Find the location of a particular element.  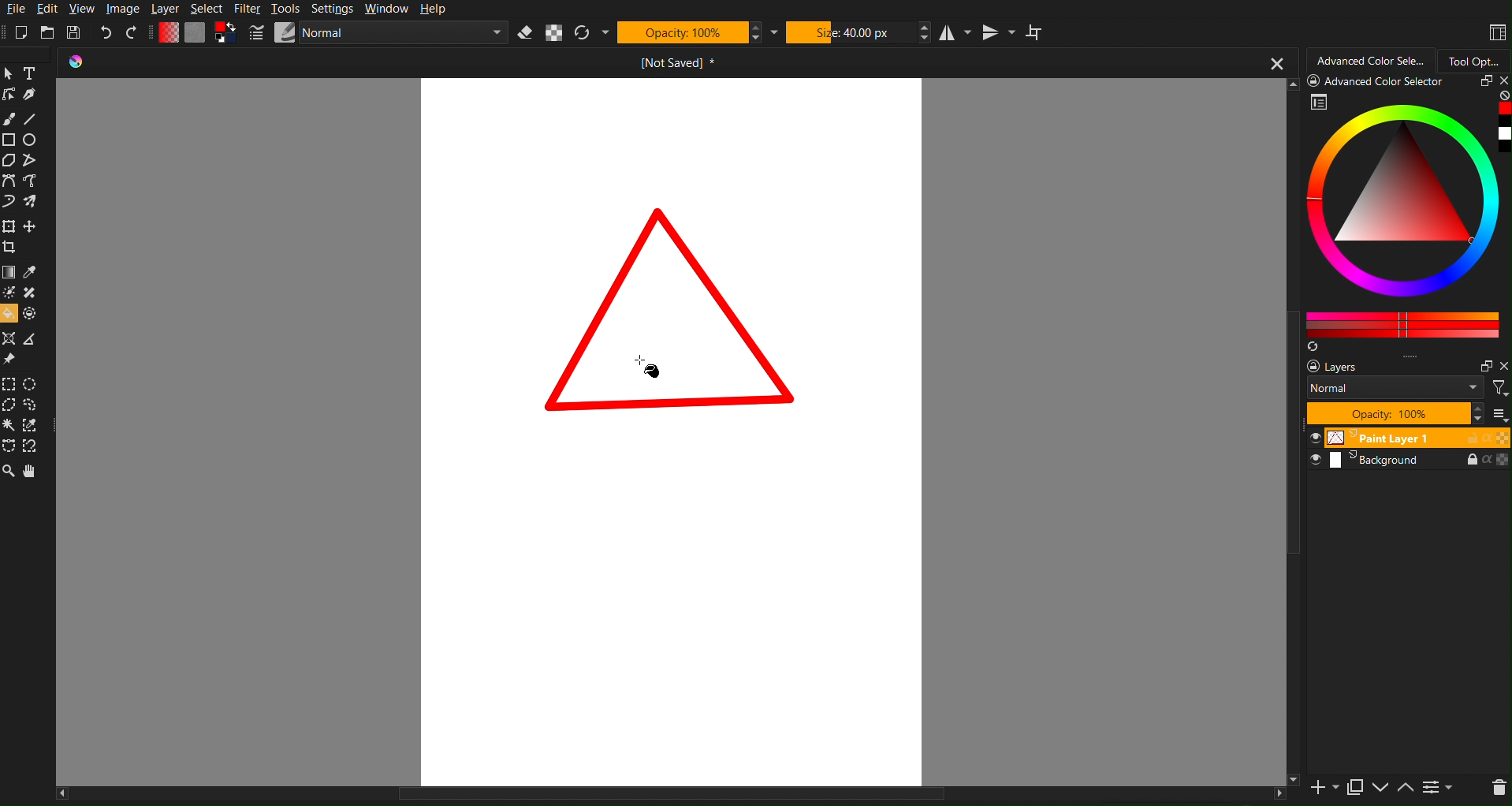

edit shapes tool is located at coordinates (10, 95).